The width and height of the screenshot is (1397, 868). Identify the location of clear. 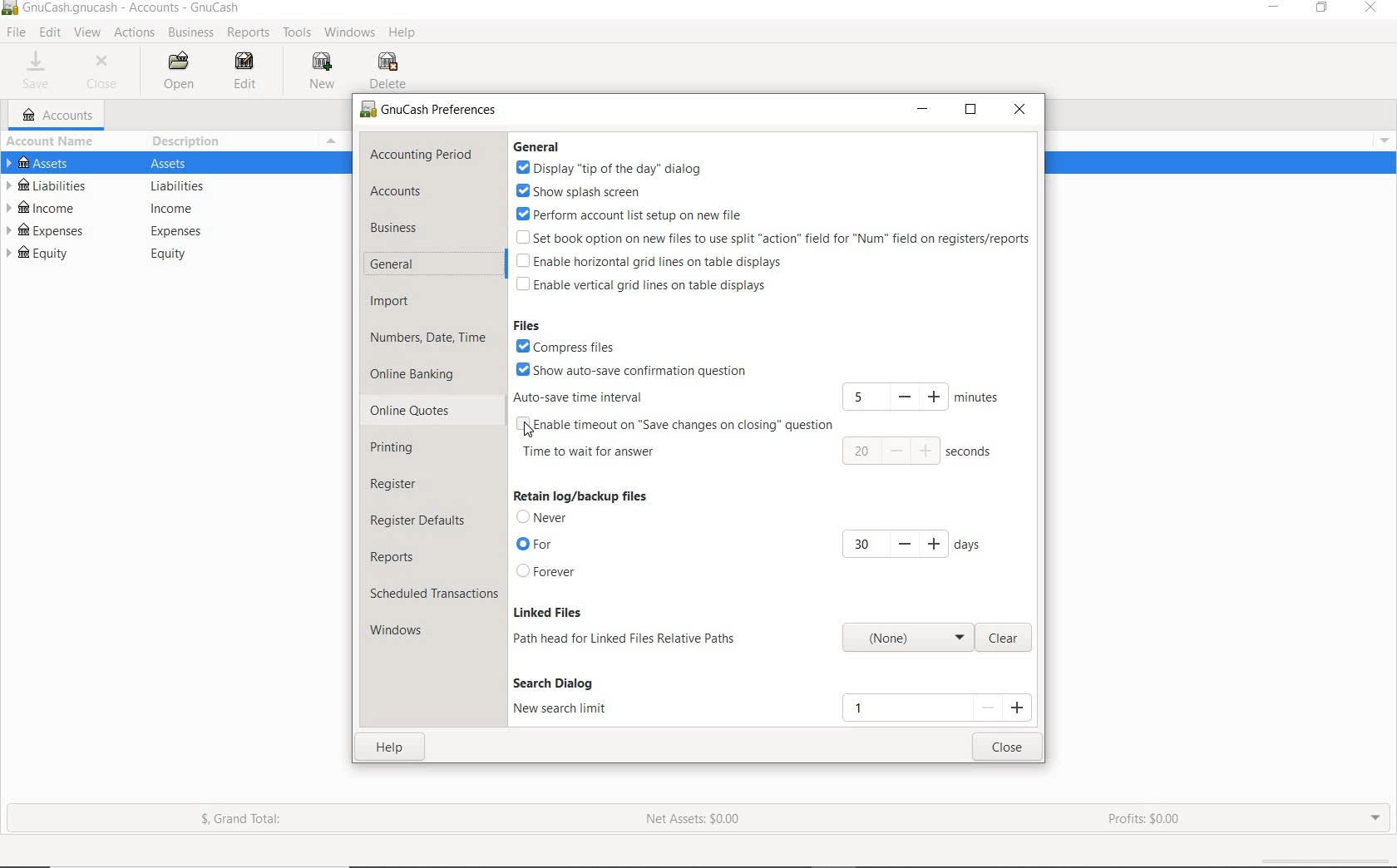
(1009, 637).